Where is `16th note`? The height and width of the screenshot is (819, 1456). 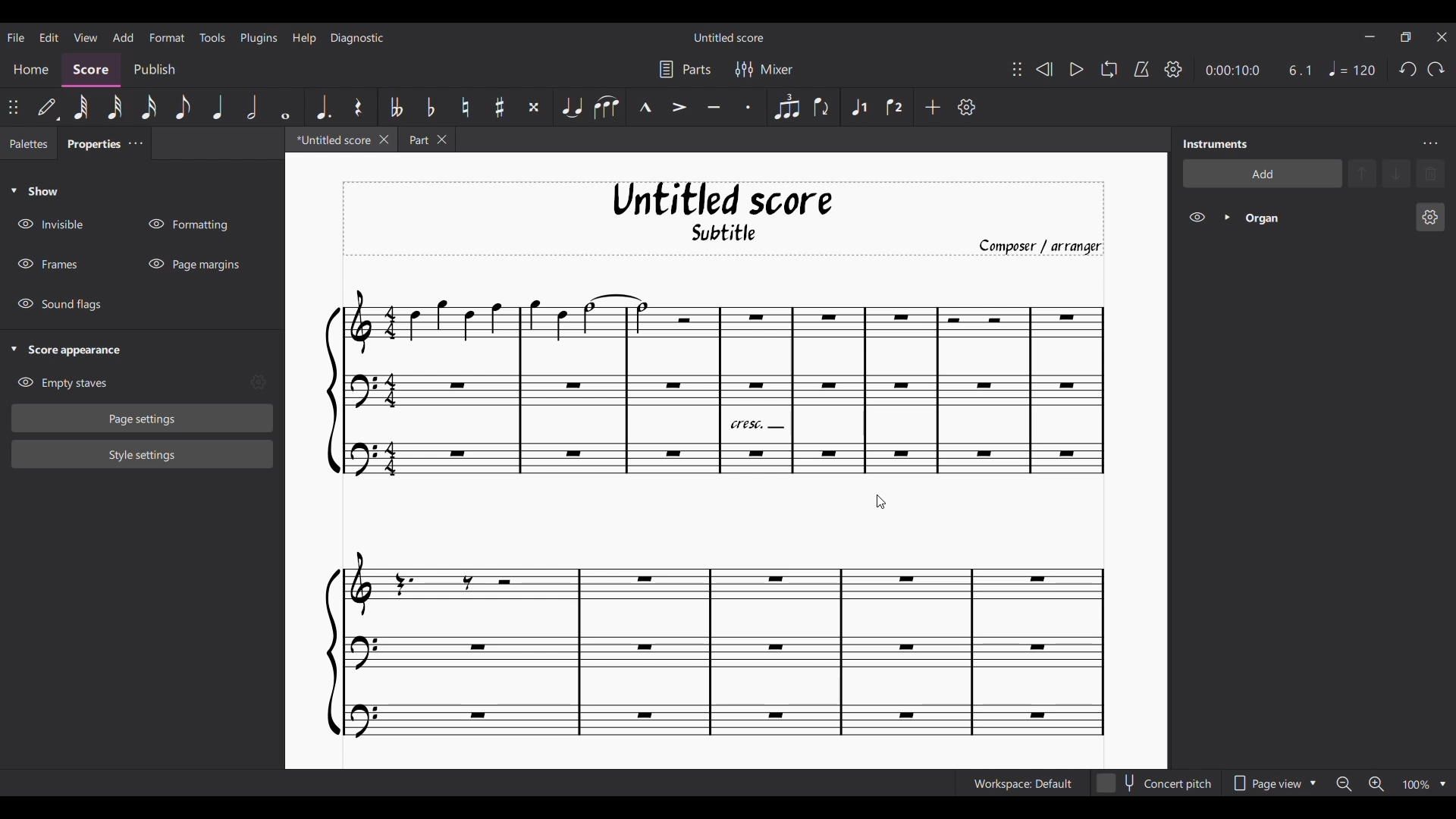 16th note is located at coordinates (149, 108).